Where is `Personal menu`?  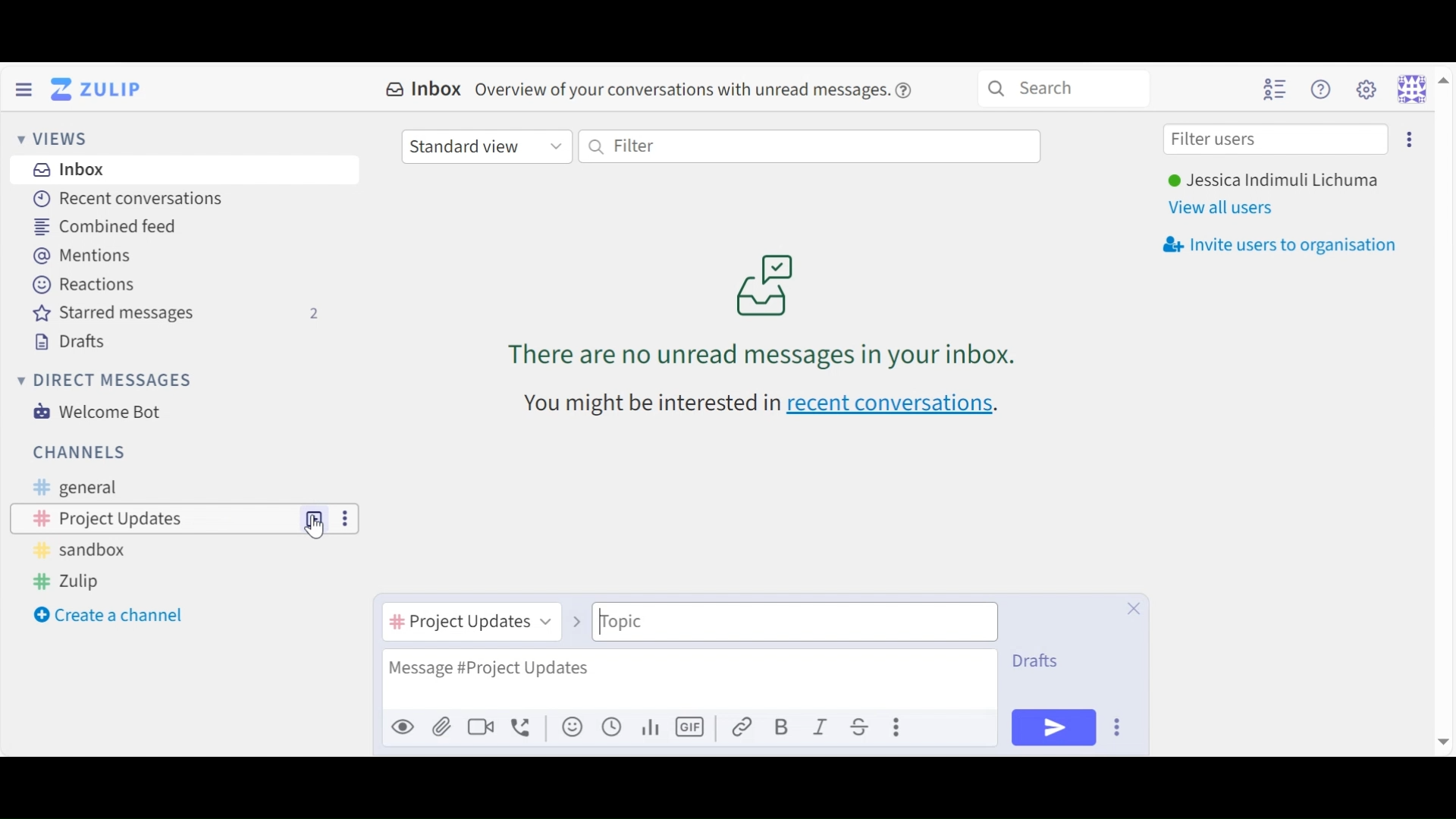 Personal menu is located at coordinates (1421, 88).